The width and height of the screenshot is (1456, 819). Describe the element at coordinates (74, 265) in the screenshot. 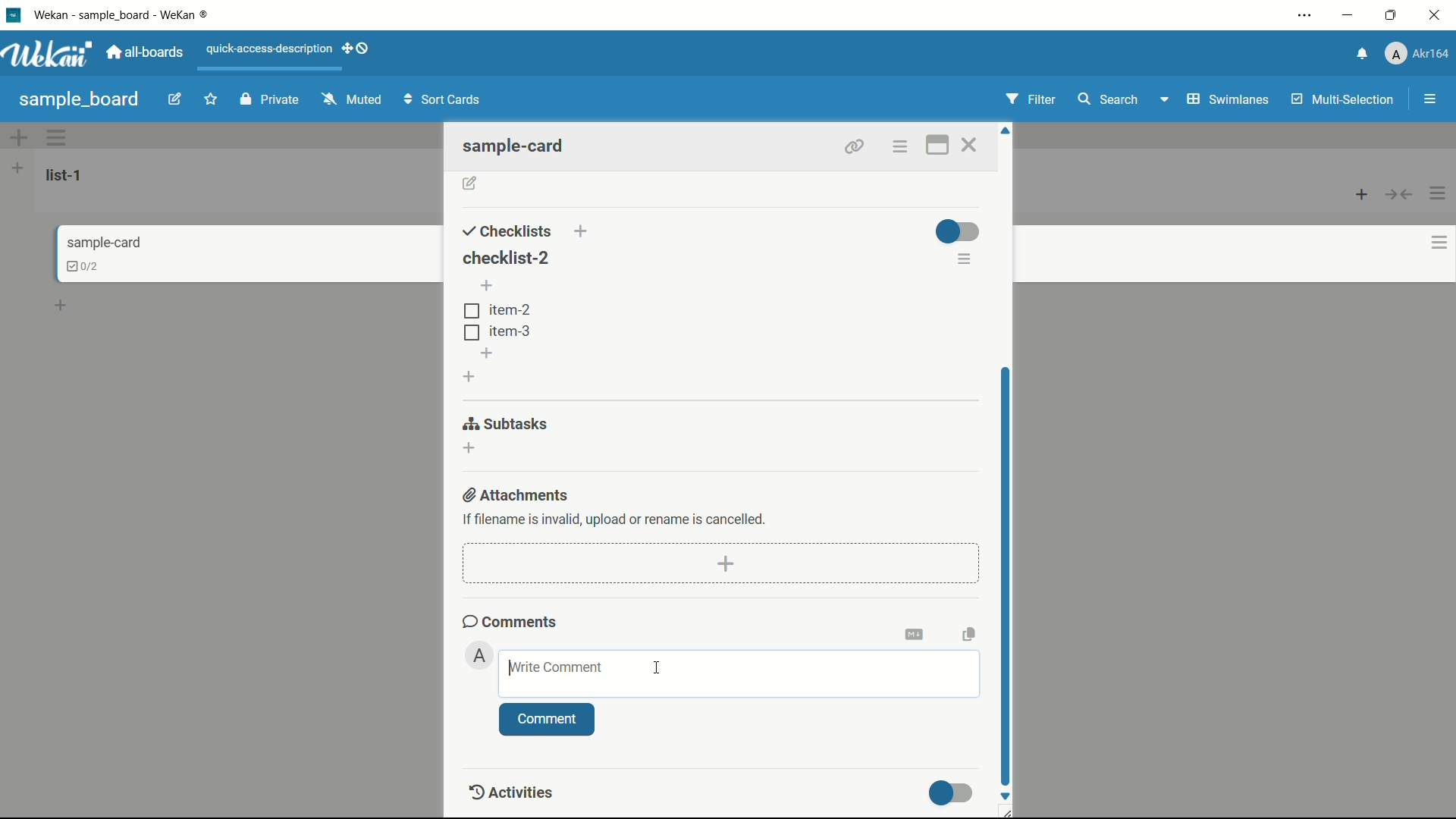

I see `checklist` at that location.